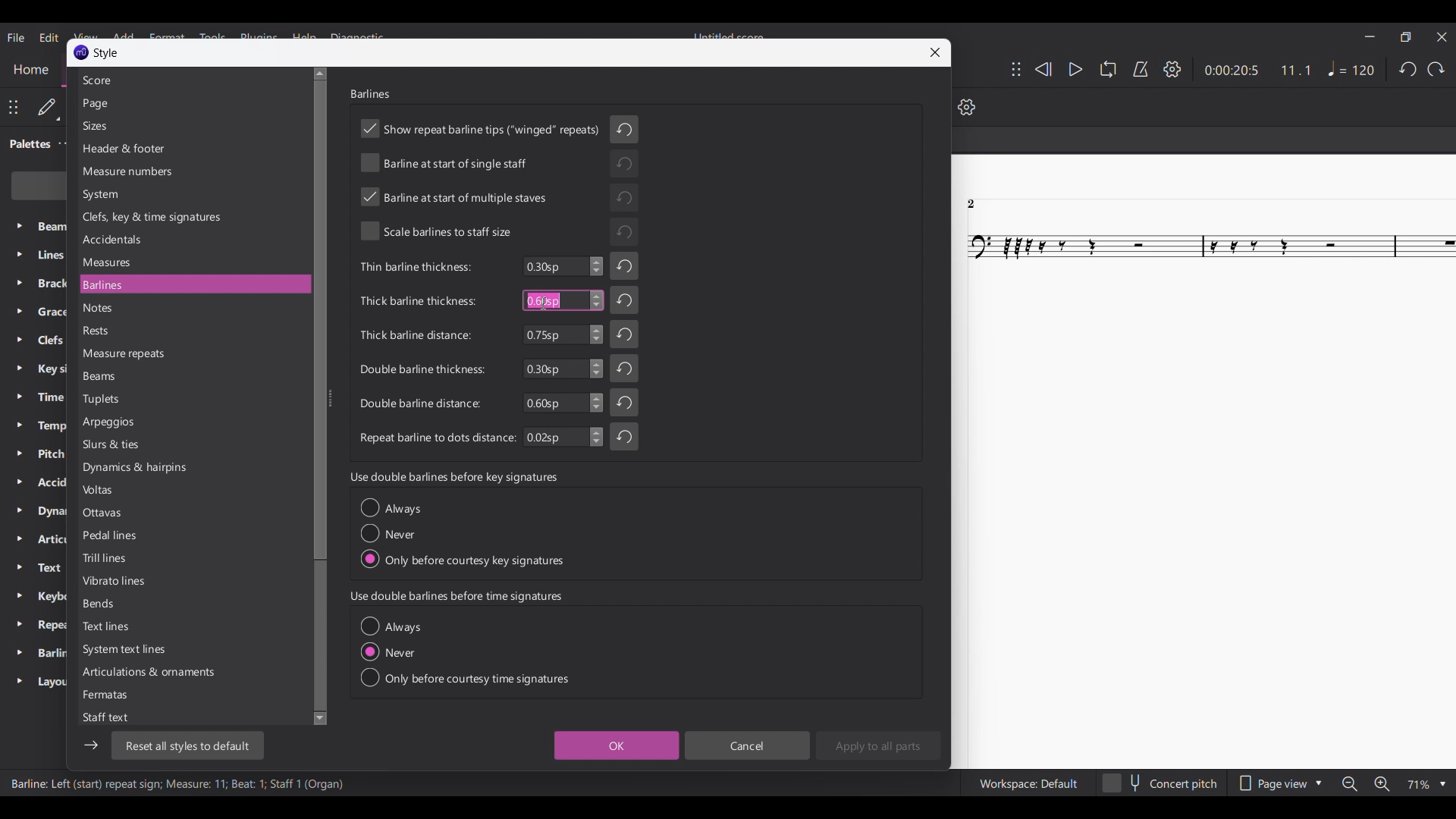  What do you see at coordinates (1028, 783) in the screenshot?
I see `Workspace settings` at bounding box center [1028, 783].